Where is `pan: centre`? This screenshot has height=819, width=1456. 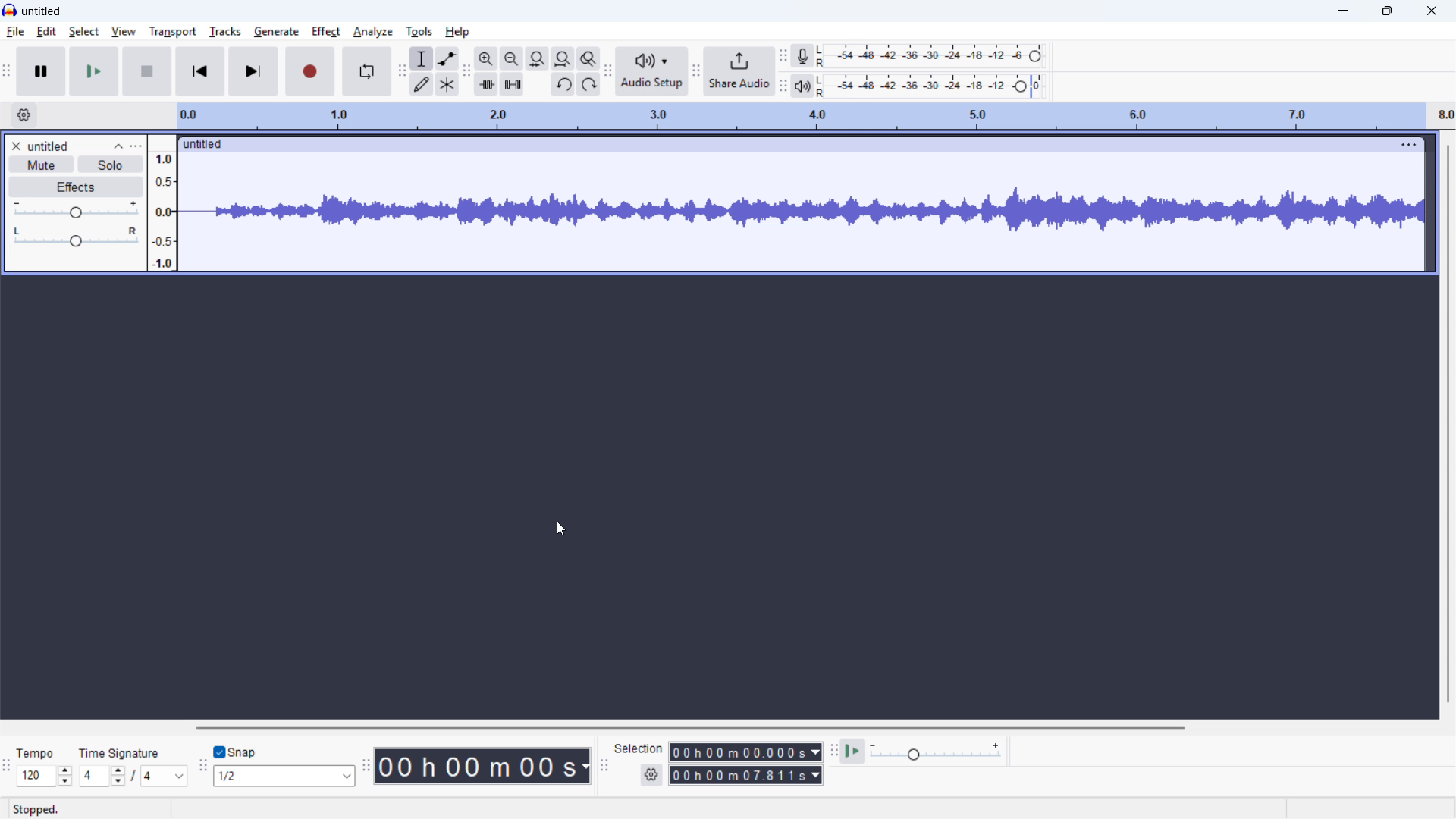 pan: centre is located at coordinates (76, 237).